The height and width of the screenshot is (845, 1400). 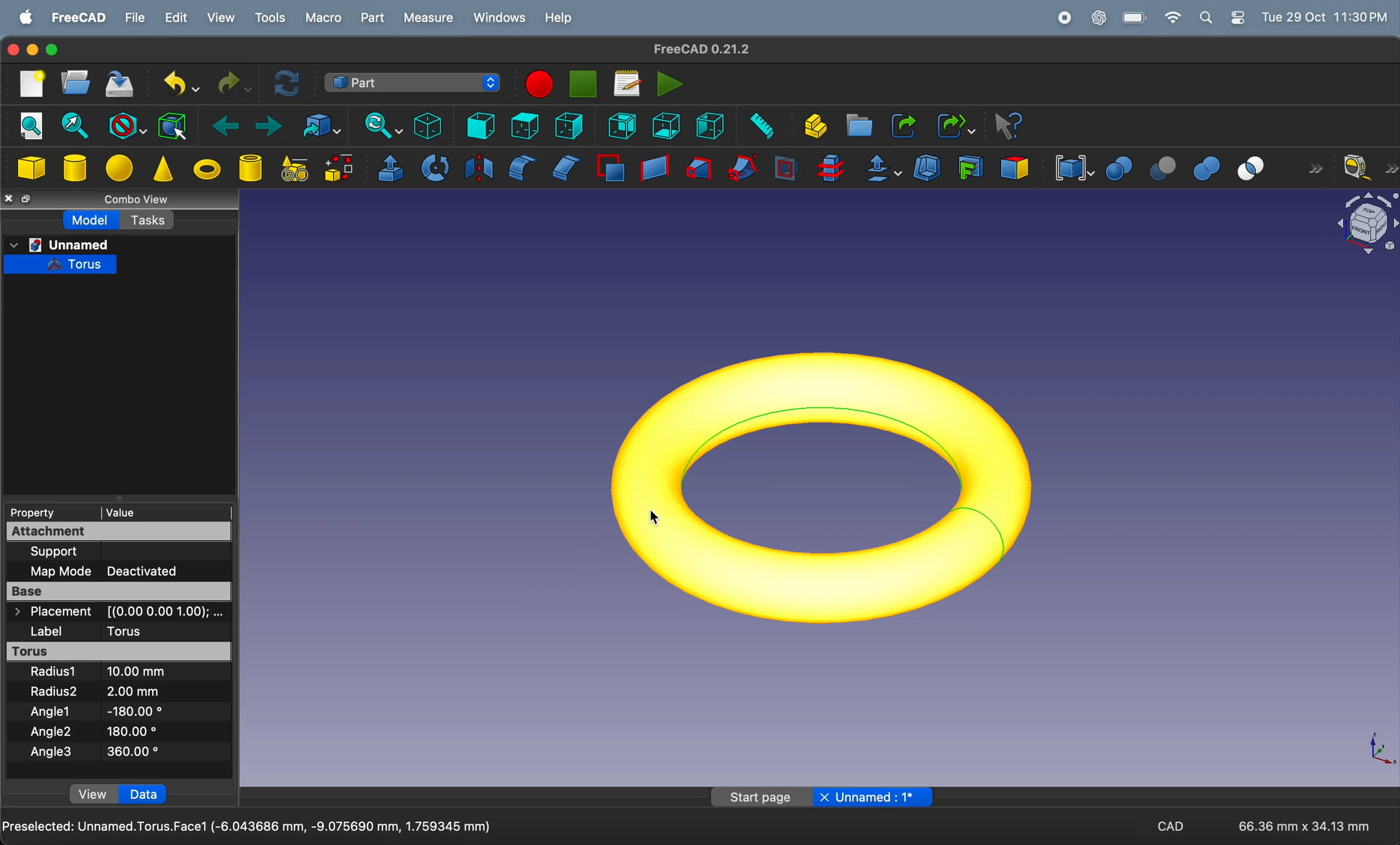 I want to click on Angle 1, so click(x=52, y=712).